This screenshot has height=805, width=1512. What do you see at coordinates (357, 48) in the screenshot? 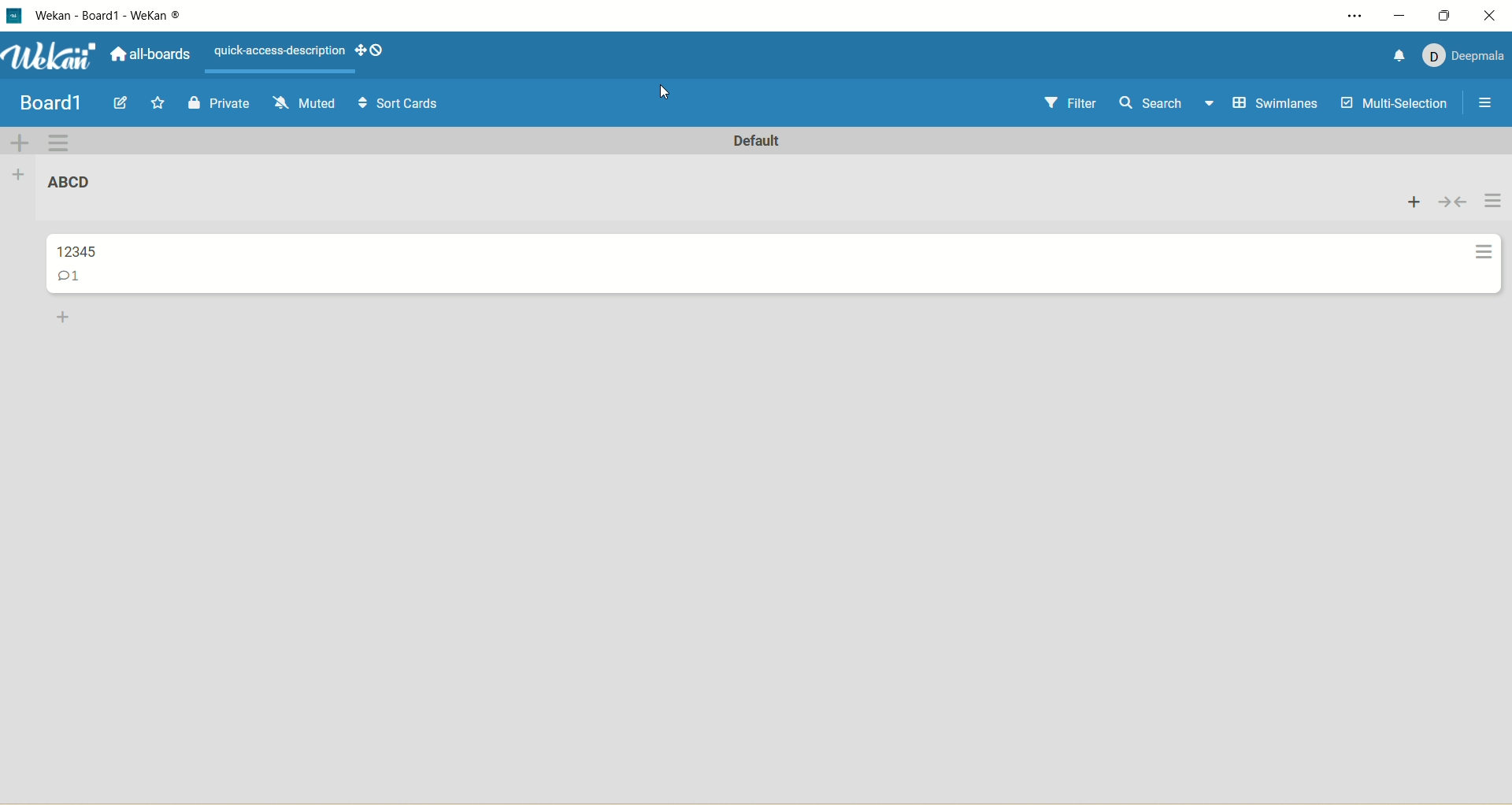
I see `show-desktop-drag-handles` at bounding box center [357, 48].